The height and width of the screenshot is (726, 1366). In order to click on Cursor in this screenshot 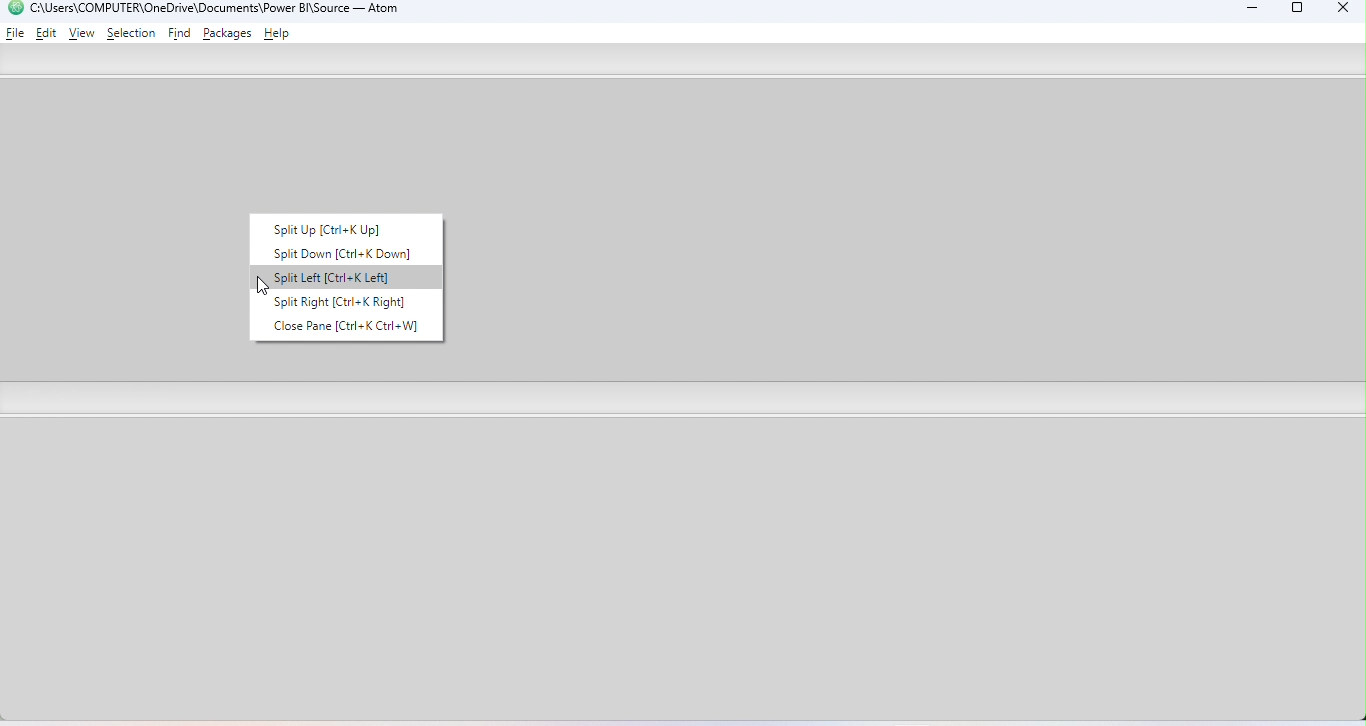, I will do `click(262, 287)`.